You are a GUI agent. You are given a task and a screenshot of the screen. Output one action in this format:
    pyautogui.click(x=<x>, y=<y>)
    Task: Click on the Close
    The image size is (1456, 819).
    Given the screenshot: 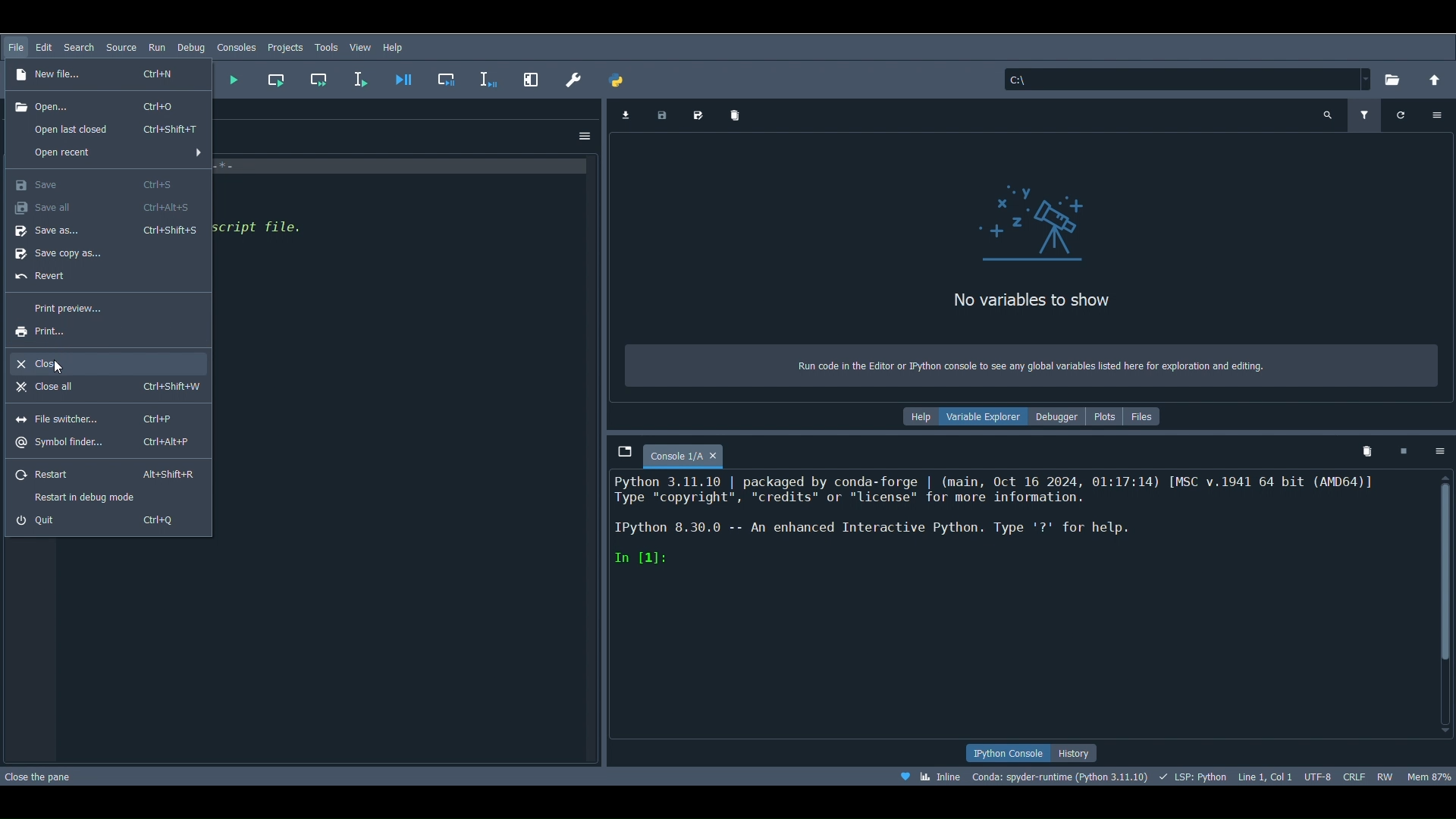 What is the action you would take?
    pyautogui.click(x=41, y=363)
    